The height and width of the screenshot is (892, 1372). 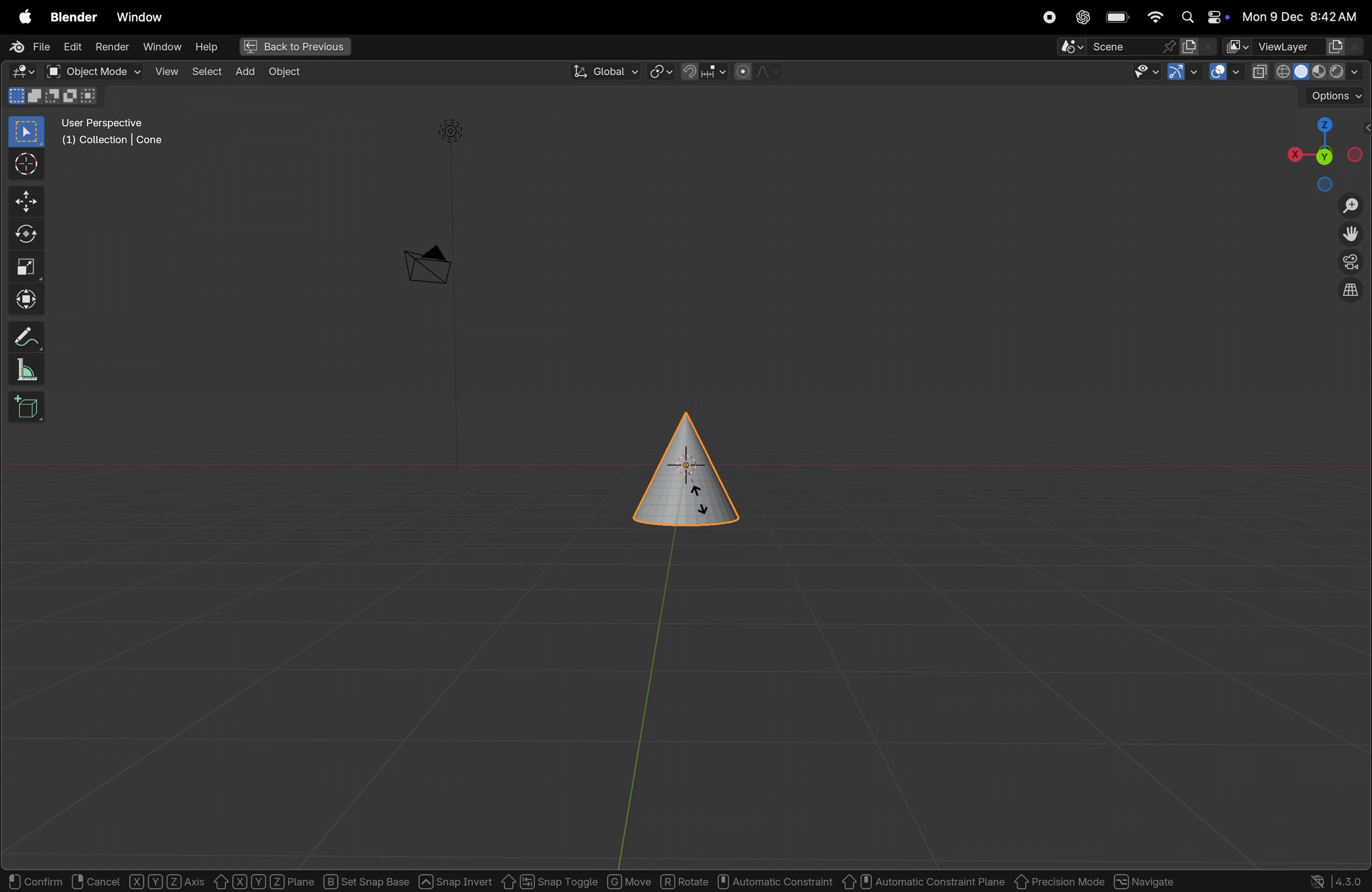 What do you see at coordinates (25, 298) in the screenshot?
I see `Transform` at bounding box center [25, 298].